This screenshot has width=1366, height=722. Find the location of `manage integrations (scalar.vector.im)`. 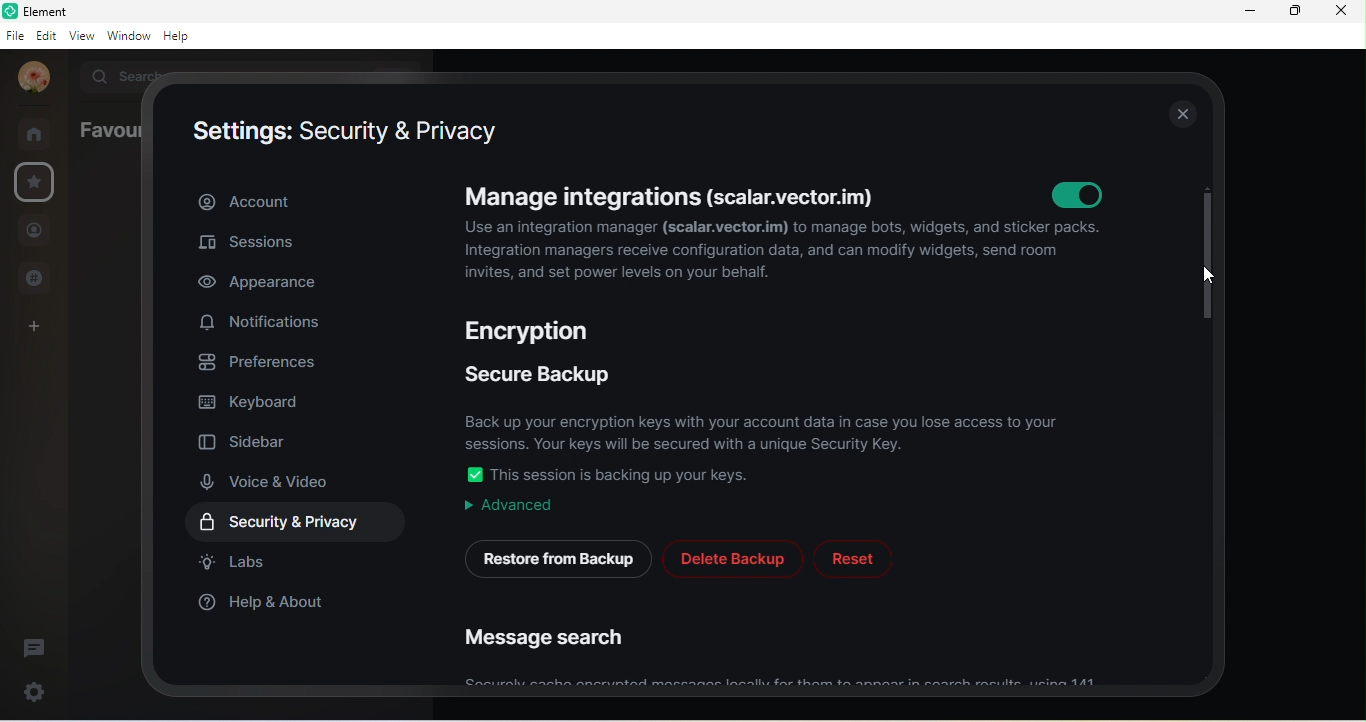

manage integrations (scalar.vector.im) is located at coordinates (672, 196).